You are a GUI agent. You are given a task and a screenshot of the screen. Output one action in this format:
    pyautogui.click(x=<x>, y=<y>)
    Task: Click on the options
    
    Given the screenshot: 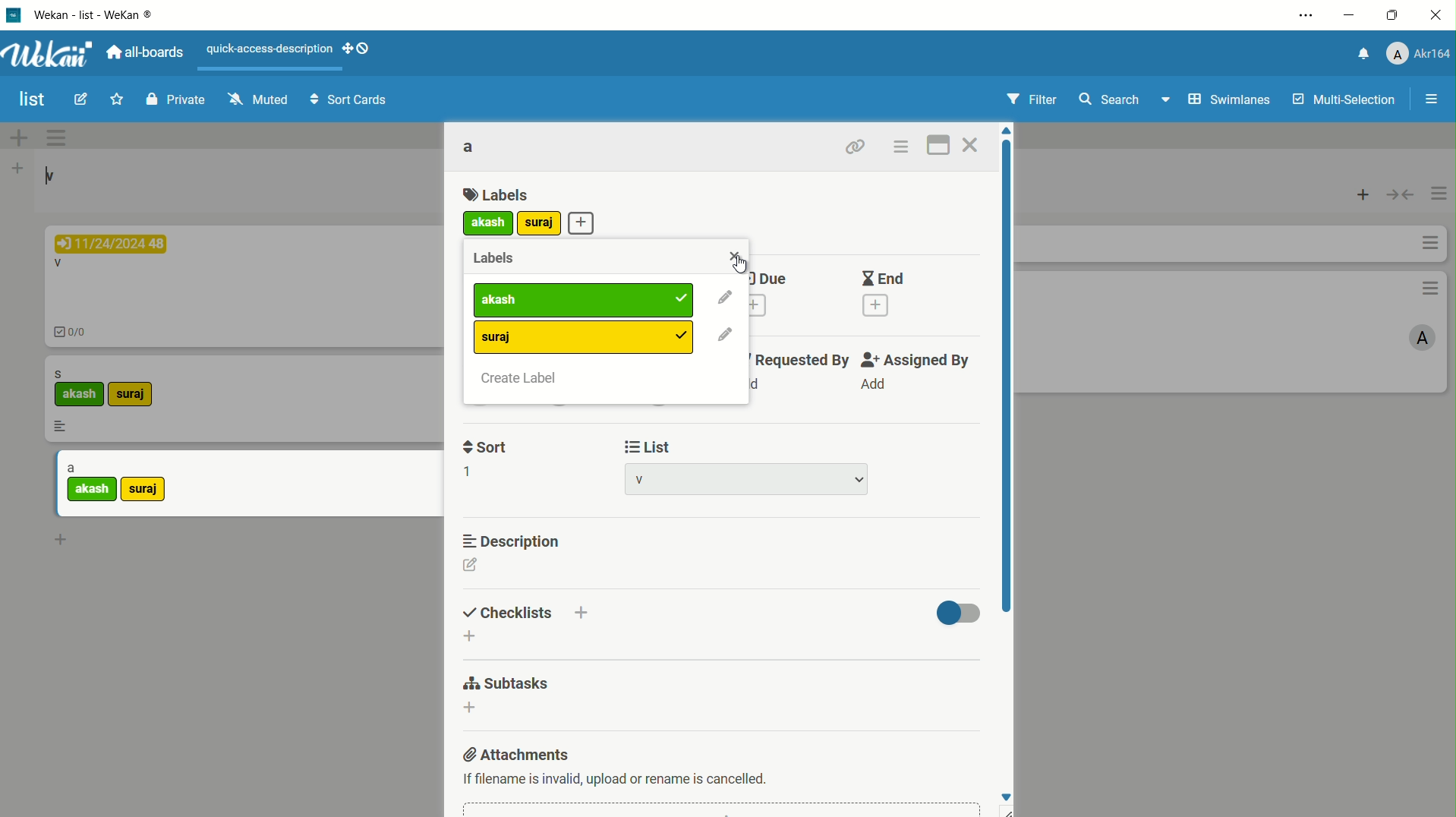 What is the action you would take?
    pyautogui.click(x=1426, y=289)
    